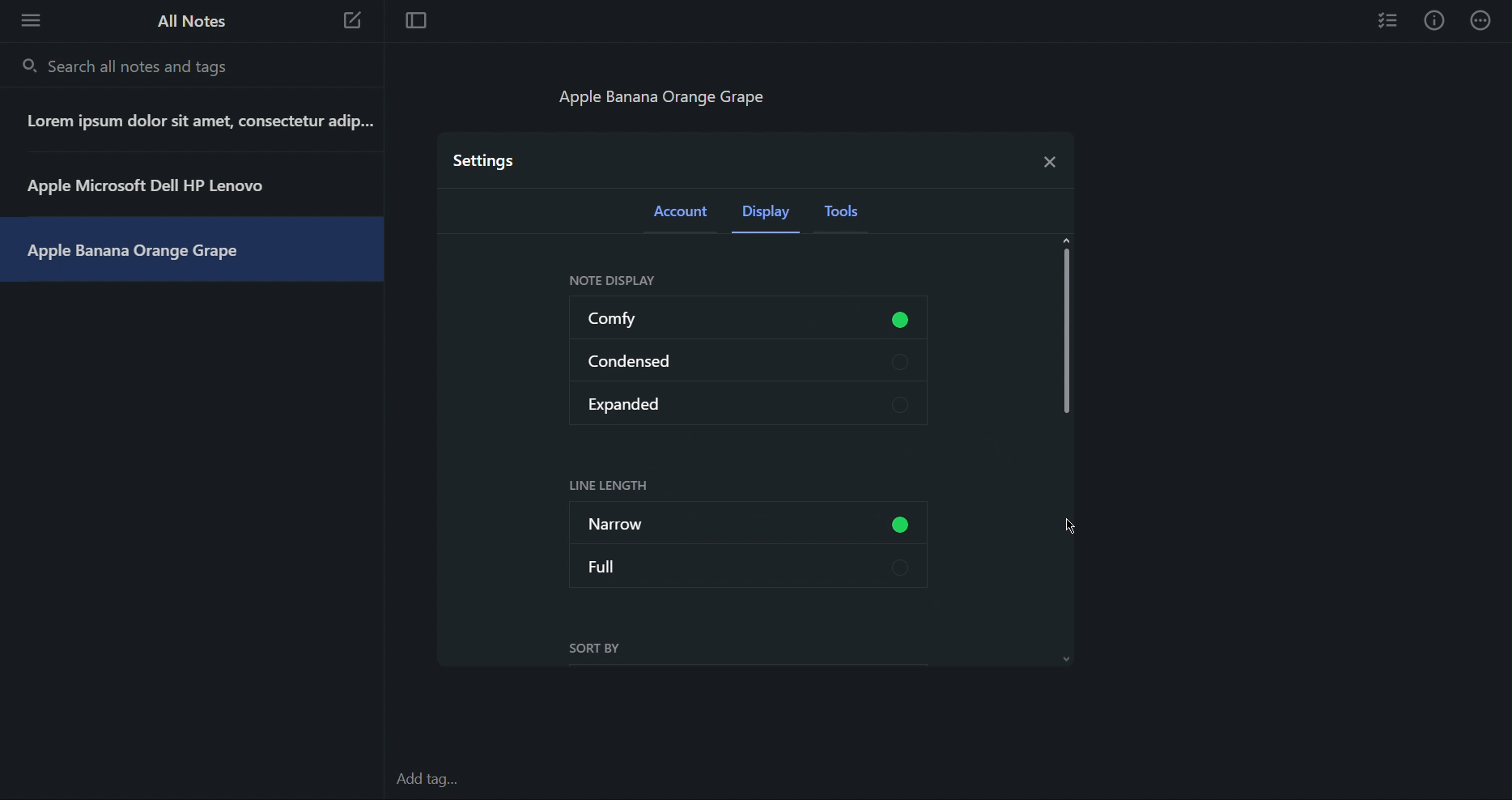 Image resolution: width=1512 pixels, height=800 pixels. I want to click on Cursor, so click(1073, 523).